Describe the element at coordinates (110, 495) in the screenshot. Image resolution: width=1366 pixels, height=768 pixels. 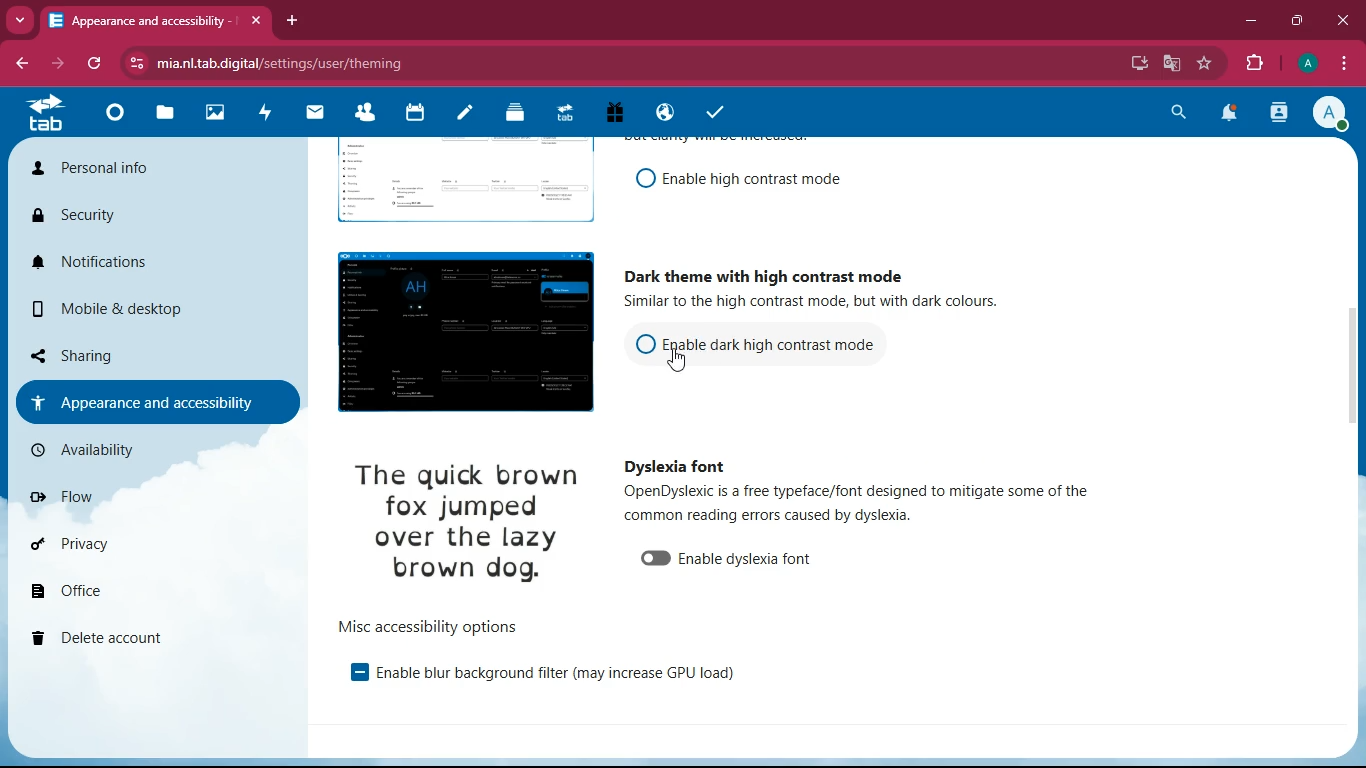
I see `flow` at that location.